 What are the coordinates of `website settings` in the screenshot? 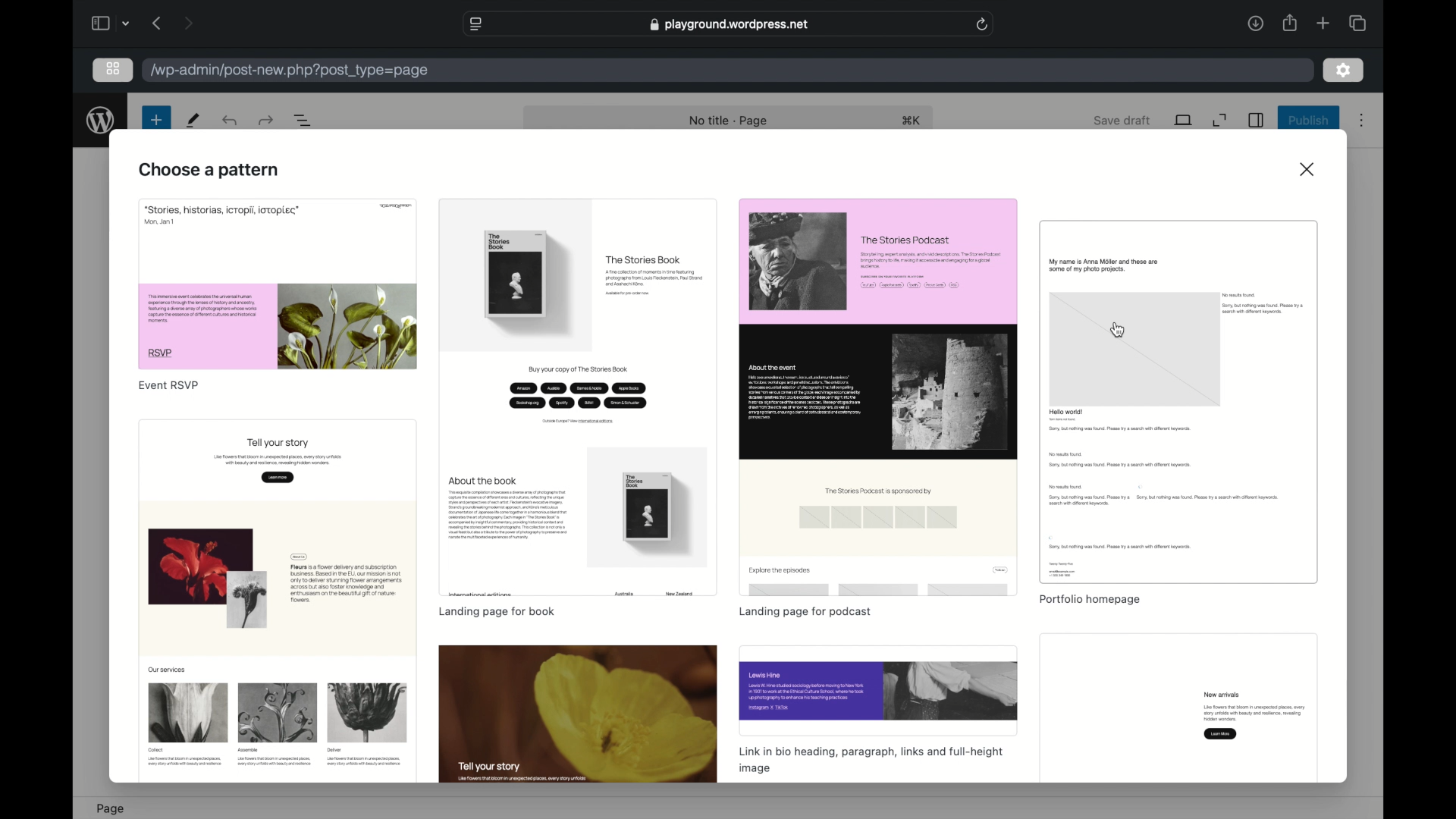 It's located at (479, 24).